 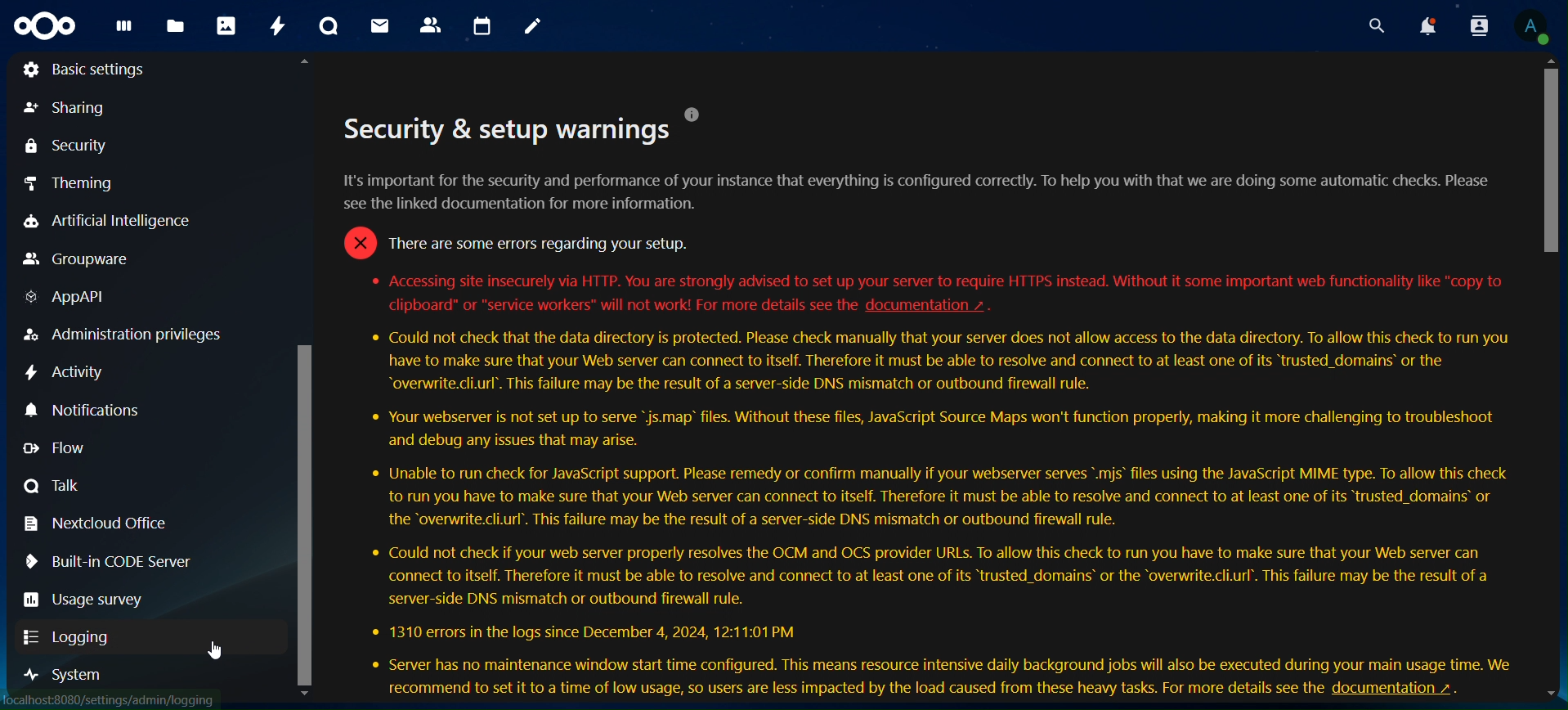 What do you see at coordinates (113, 700) in the screenshot?
I see `localhost:8080/settings/admin/logging` at bounding box center [113, 700].